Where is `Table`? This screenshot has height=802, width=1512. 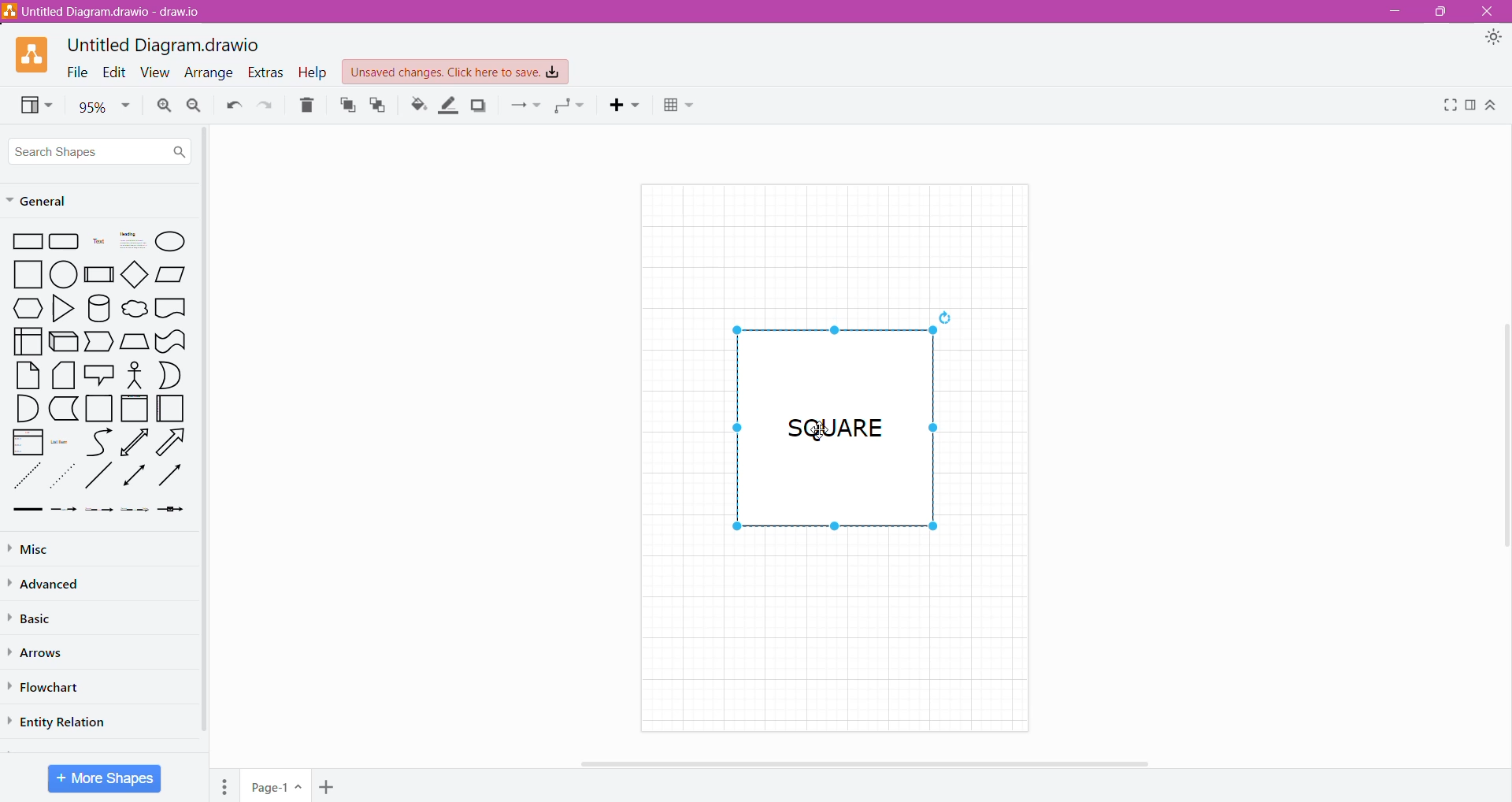
Table is located at coordinates (682, 106).